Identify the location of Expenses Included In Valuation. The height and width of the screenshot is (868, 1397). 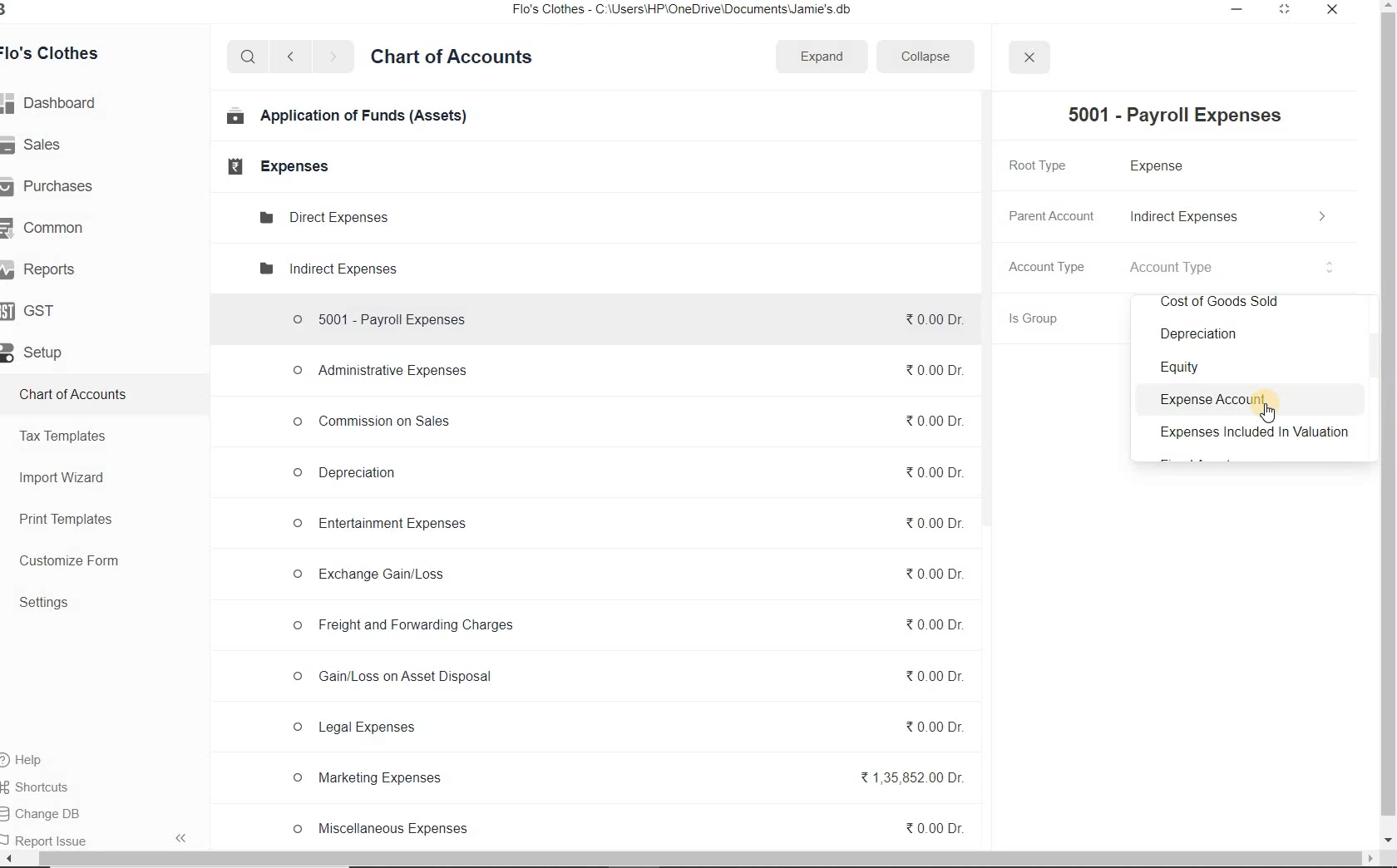
(1254, 435).